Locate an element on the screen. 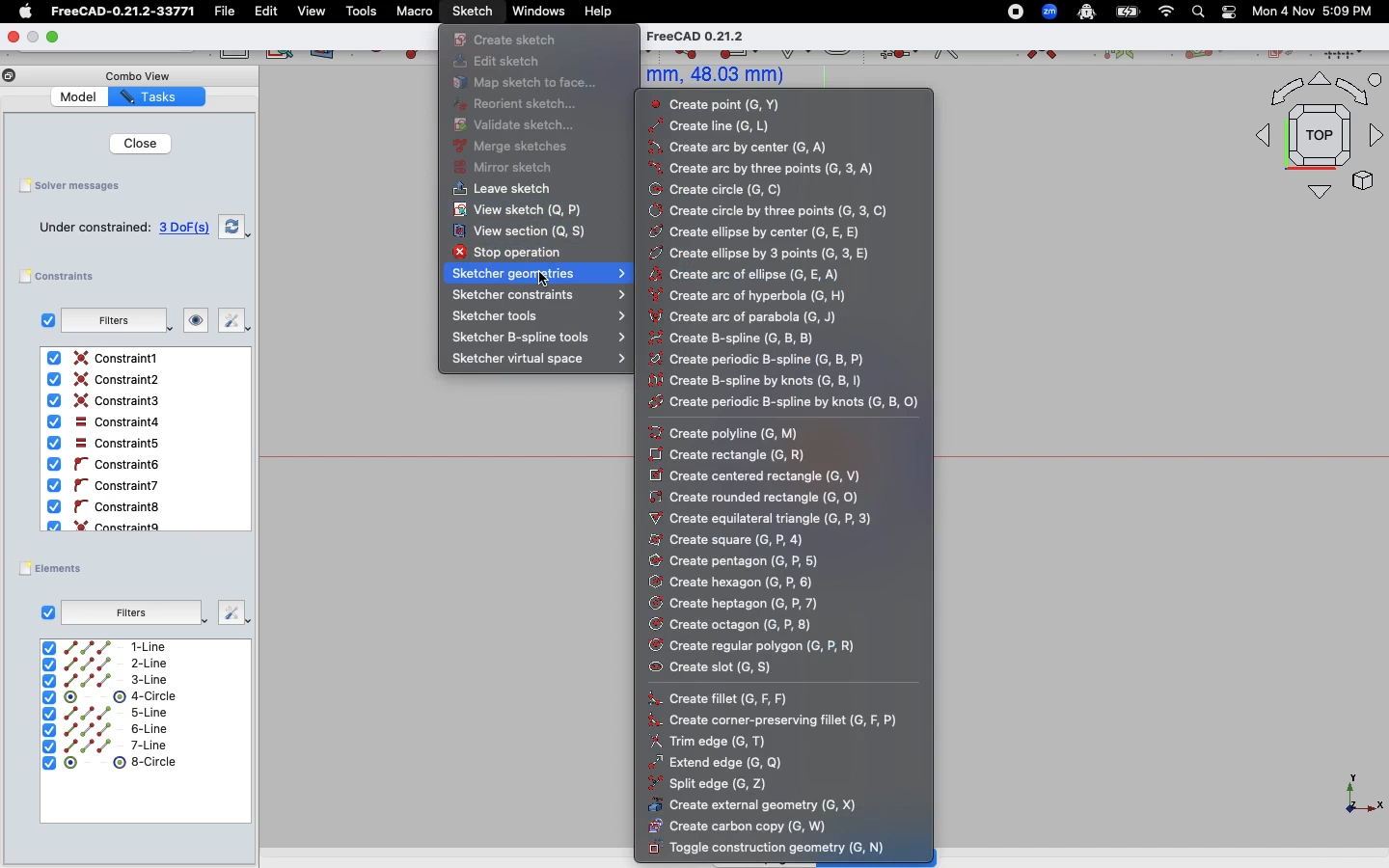 The height and width of the screenshot is (868, 1389). Split edge(G, 7) is located at coordinates (716, 784).